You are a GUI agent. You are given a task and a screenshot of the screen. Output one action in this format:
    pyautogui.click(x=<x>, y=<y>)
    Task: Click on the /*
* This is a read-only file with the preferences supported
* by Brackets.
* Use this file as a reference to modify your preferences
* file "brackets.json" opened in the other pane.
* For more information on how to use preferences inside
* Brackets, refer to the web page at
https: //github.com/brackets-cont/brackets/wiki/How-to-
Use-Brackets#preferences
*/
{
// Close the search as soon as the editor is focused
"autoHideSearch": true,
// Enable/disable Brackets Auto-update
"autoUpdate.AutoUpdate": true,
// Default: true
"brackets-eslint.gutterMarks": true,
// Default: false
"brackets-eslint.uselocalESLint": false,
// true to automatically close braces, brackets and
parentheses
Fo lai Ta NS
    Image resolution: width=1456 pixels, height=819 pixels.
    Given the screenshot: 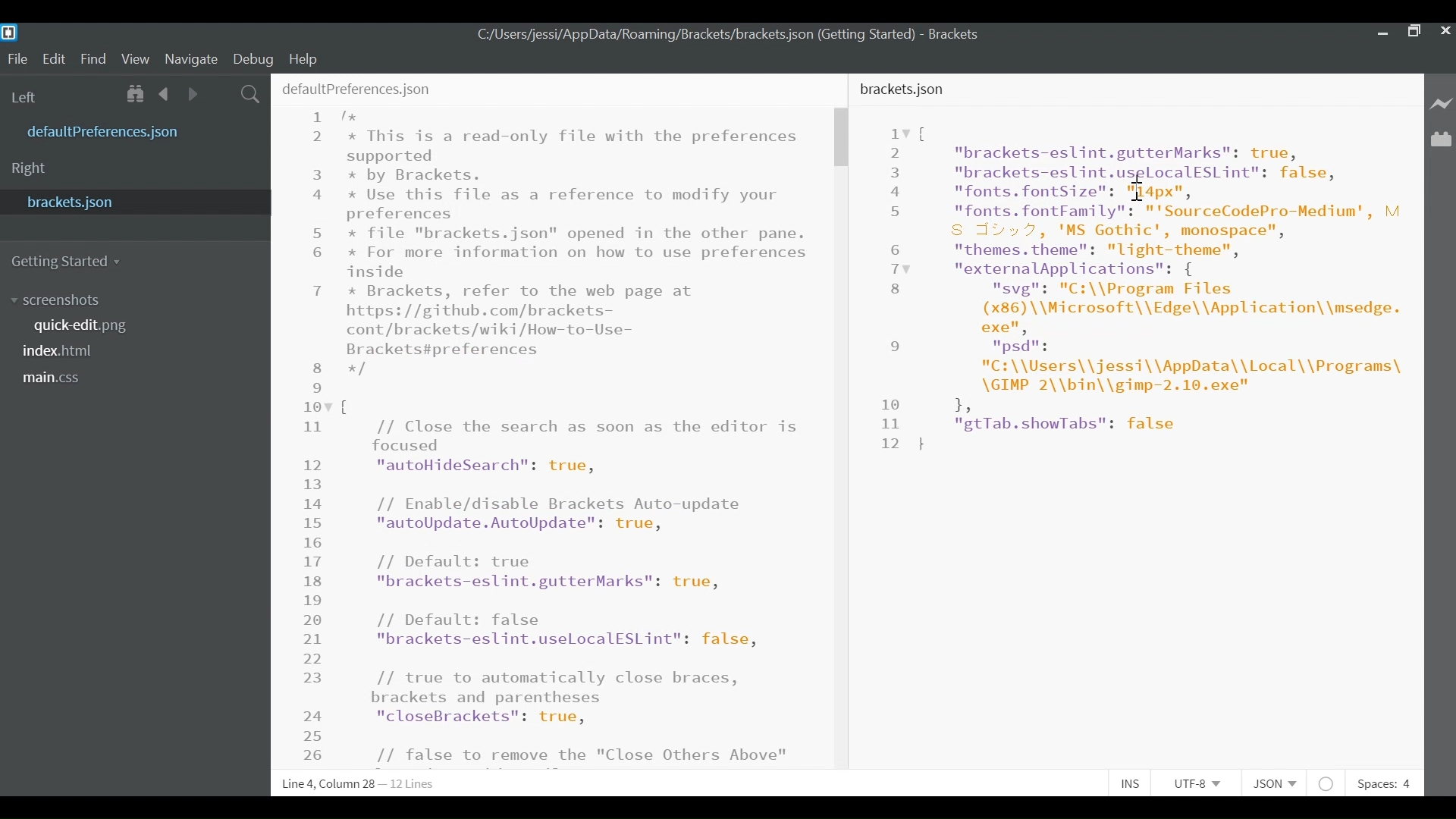 What is the action you would take?
    pyautogui.click(x=577, y=438)
    